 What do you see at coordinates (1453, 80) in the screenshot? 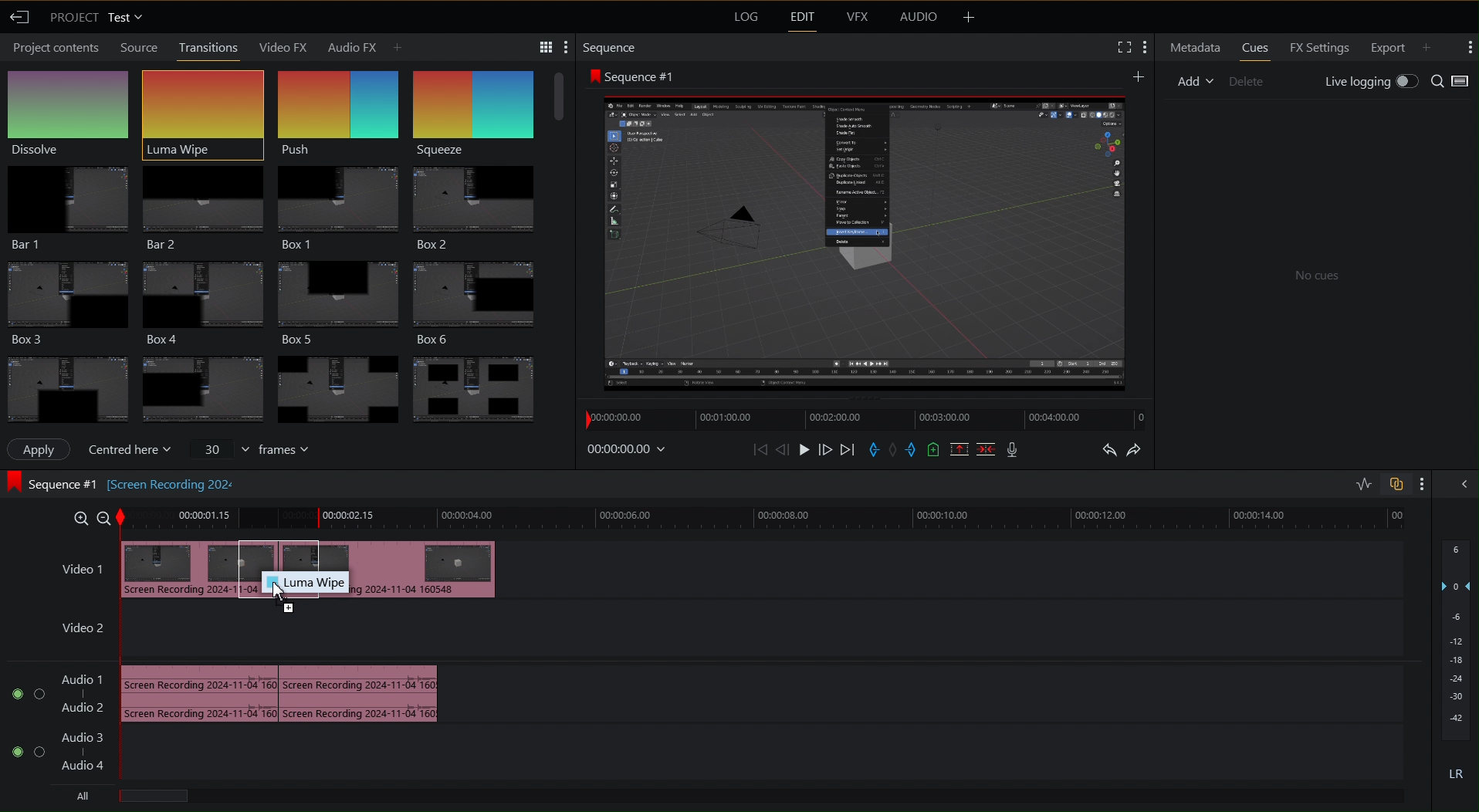
I see `Search` at bounding box center [1453, 80].